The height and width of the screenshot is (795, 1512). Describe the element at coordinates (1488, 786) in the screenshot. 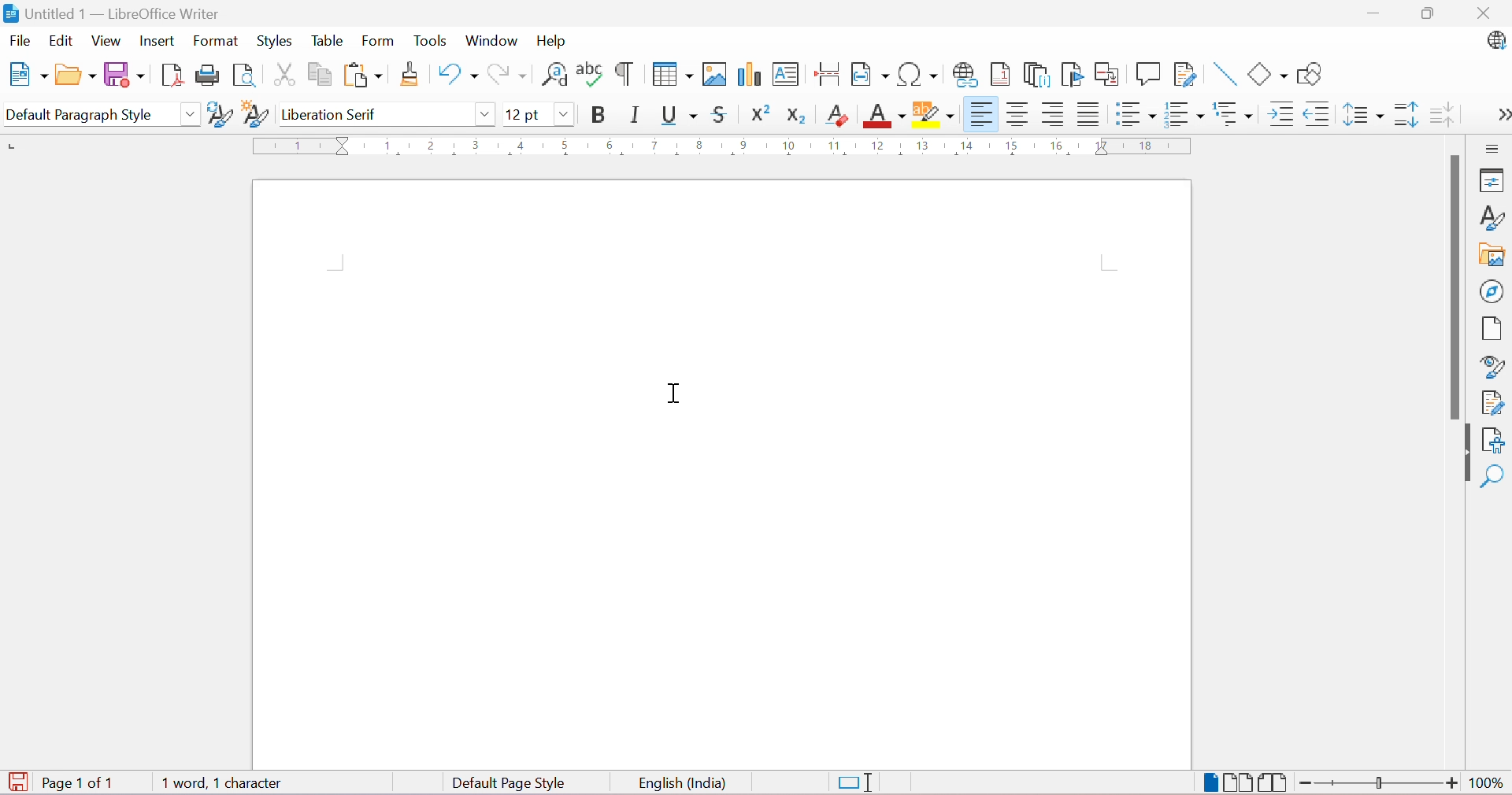

I see `100%` at that location.